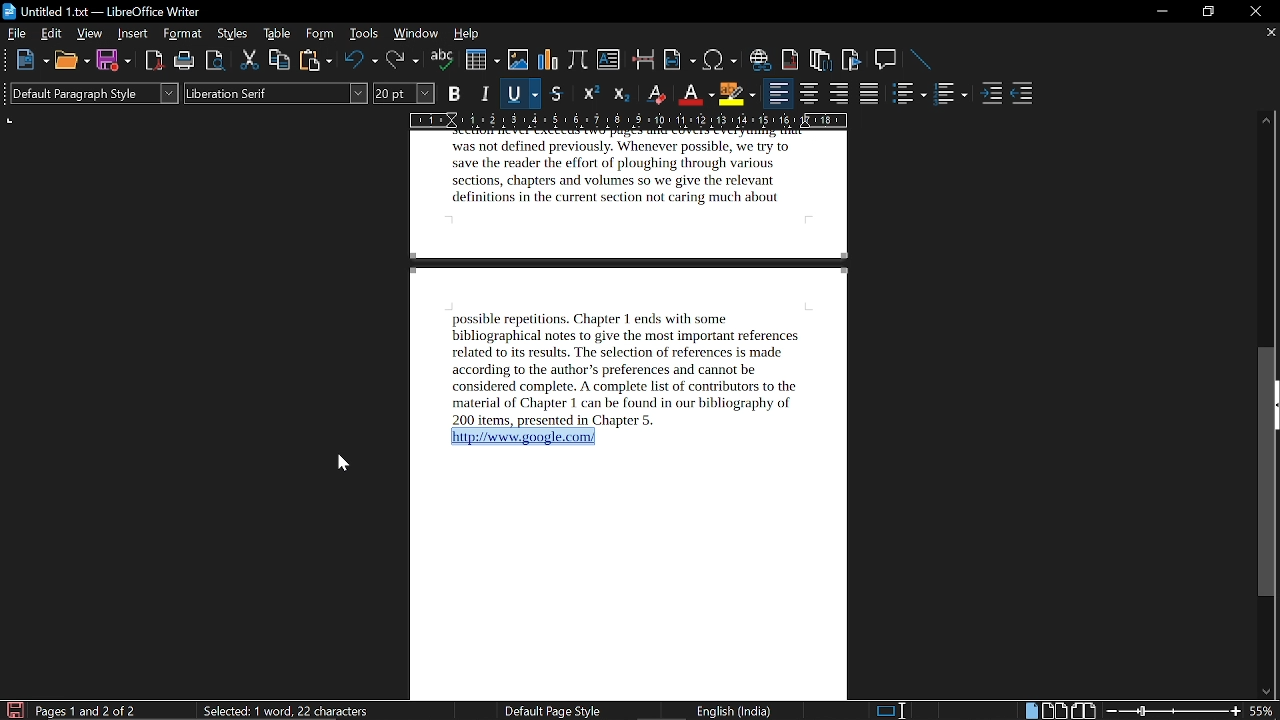  I want to click on toggle unordered list, so click(952, 95).